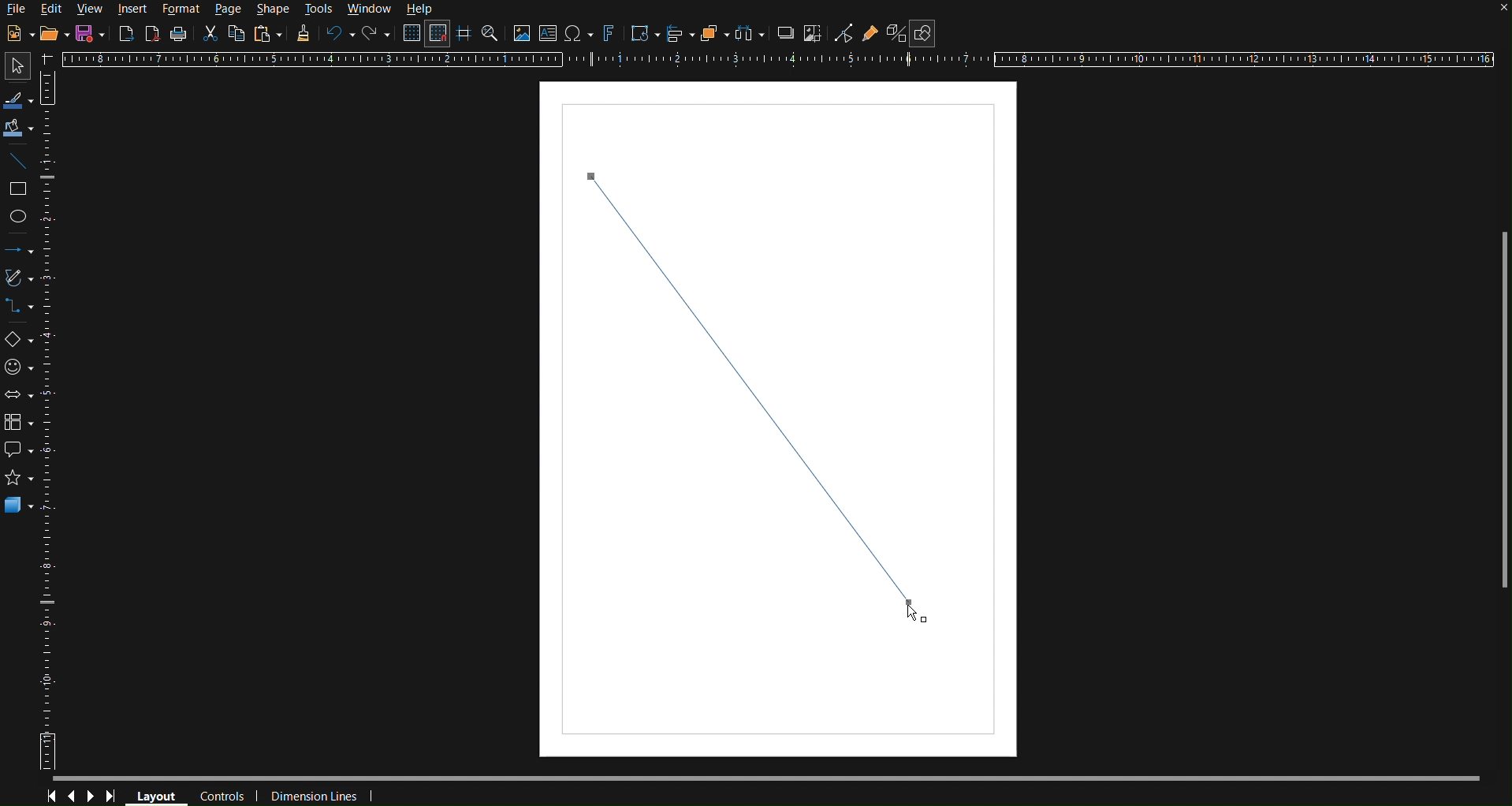  I want to click on Insert, so click(133, 9).